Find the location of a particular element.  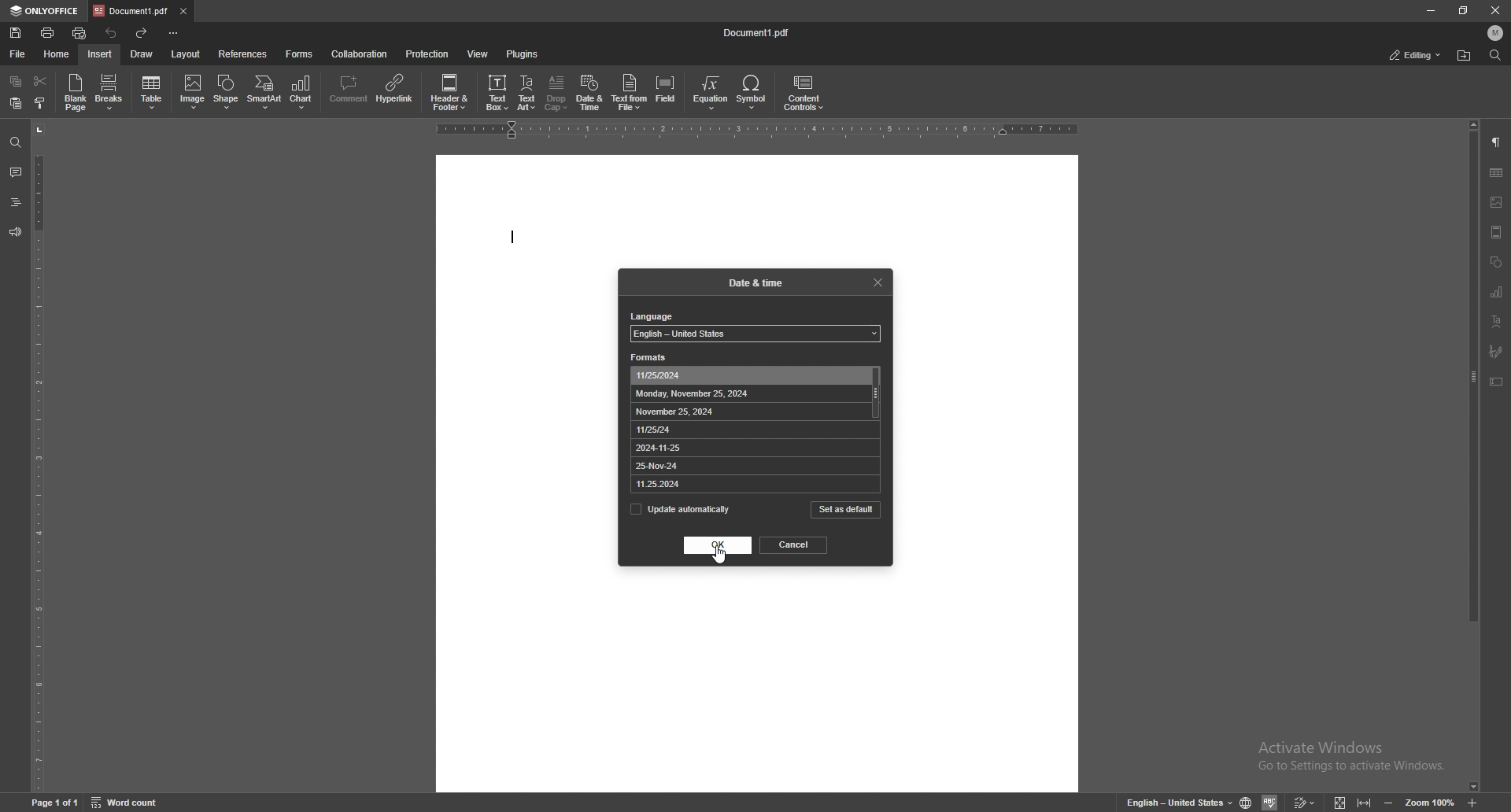

undo is located at coordinates (115, 33).